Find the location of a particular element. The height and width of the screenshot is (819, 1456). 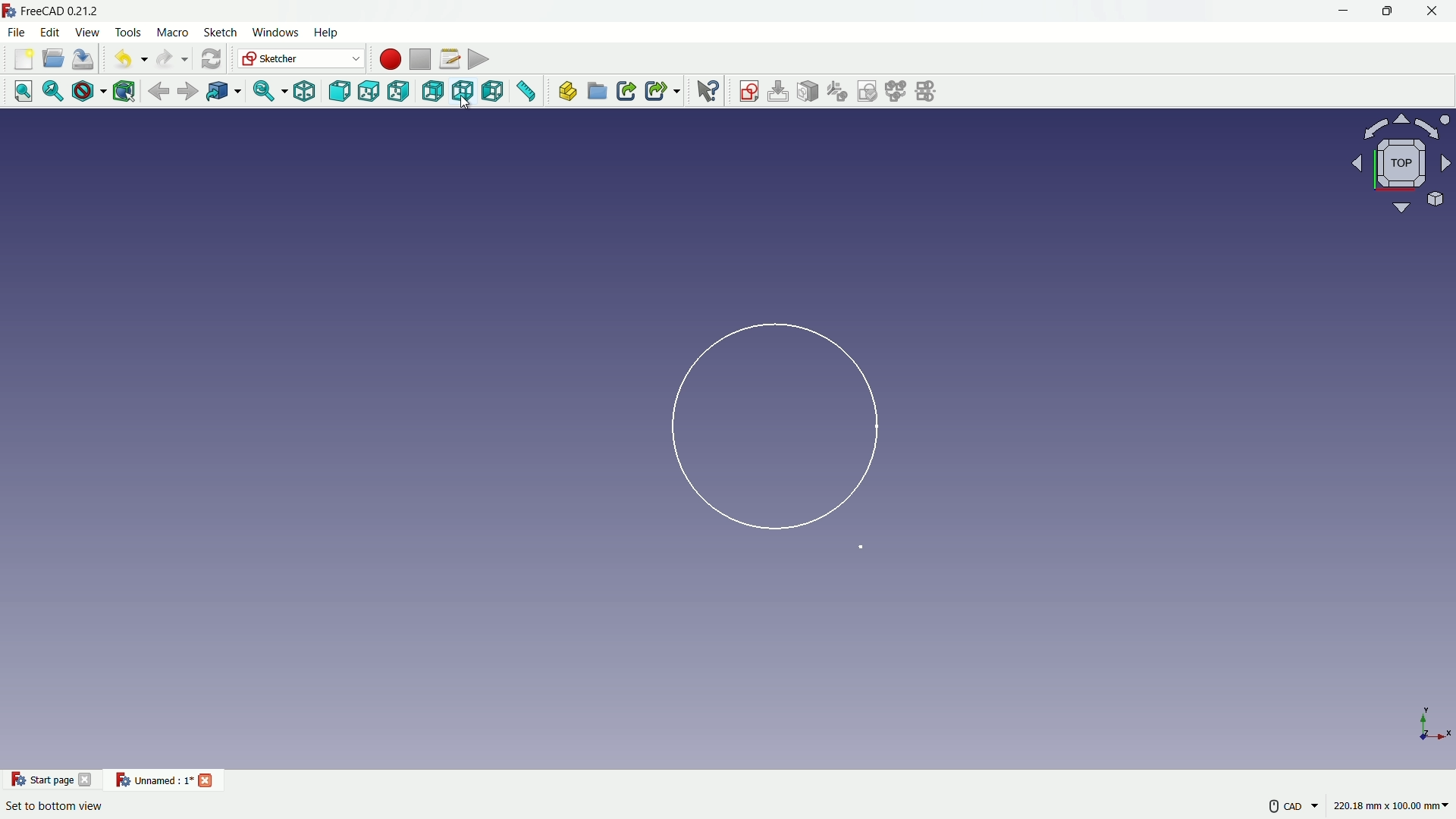

windows menu is located at coordinates (276, 34).